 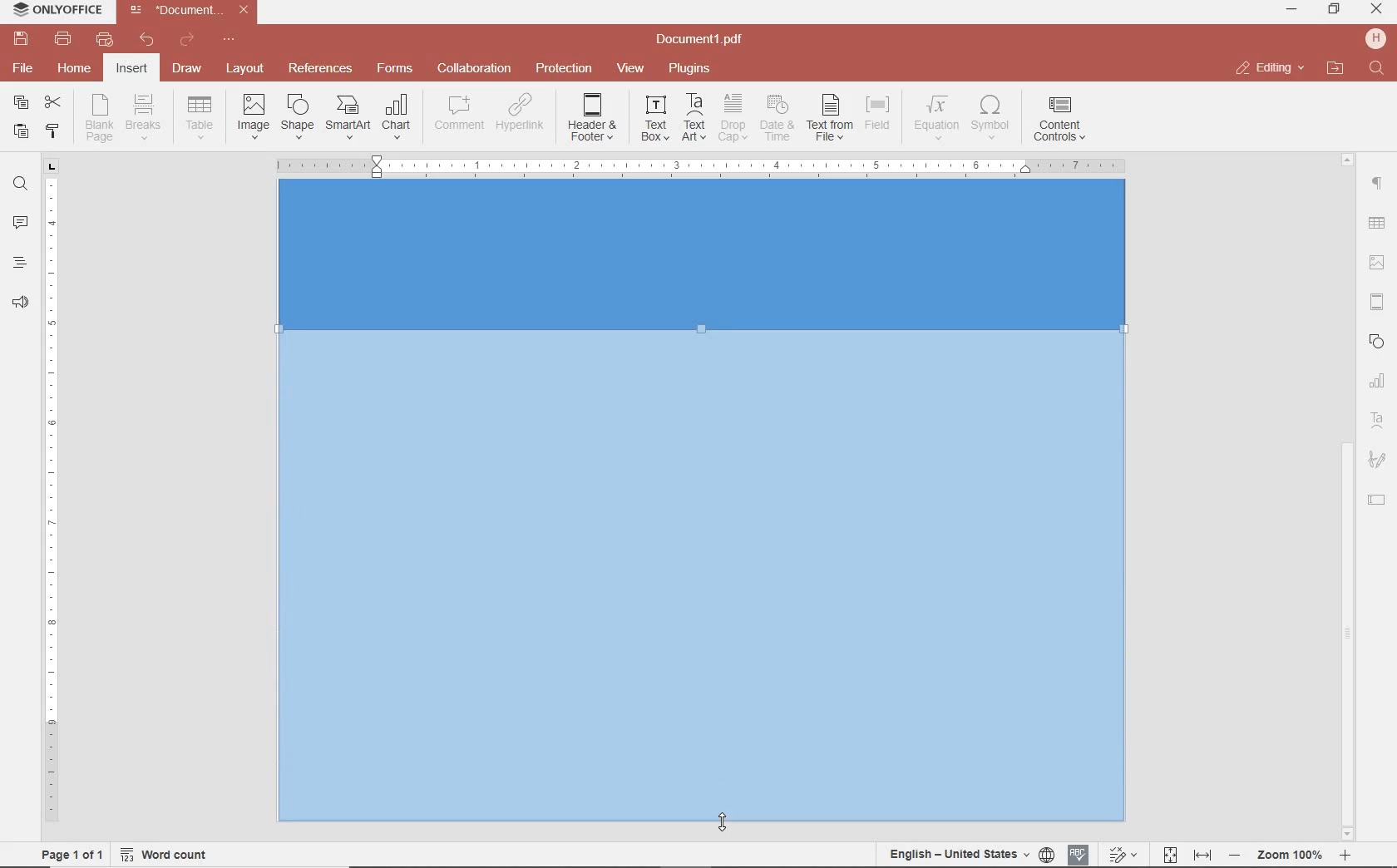 What do you see at coordinates (594, 118) in the screenshot?
I see `EDIT HEADER OR FOOTER` at bounding box center [594, 118].